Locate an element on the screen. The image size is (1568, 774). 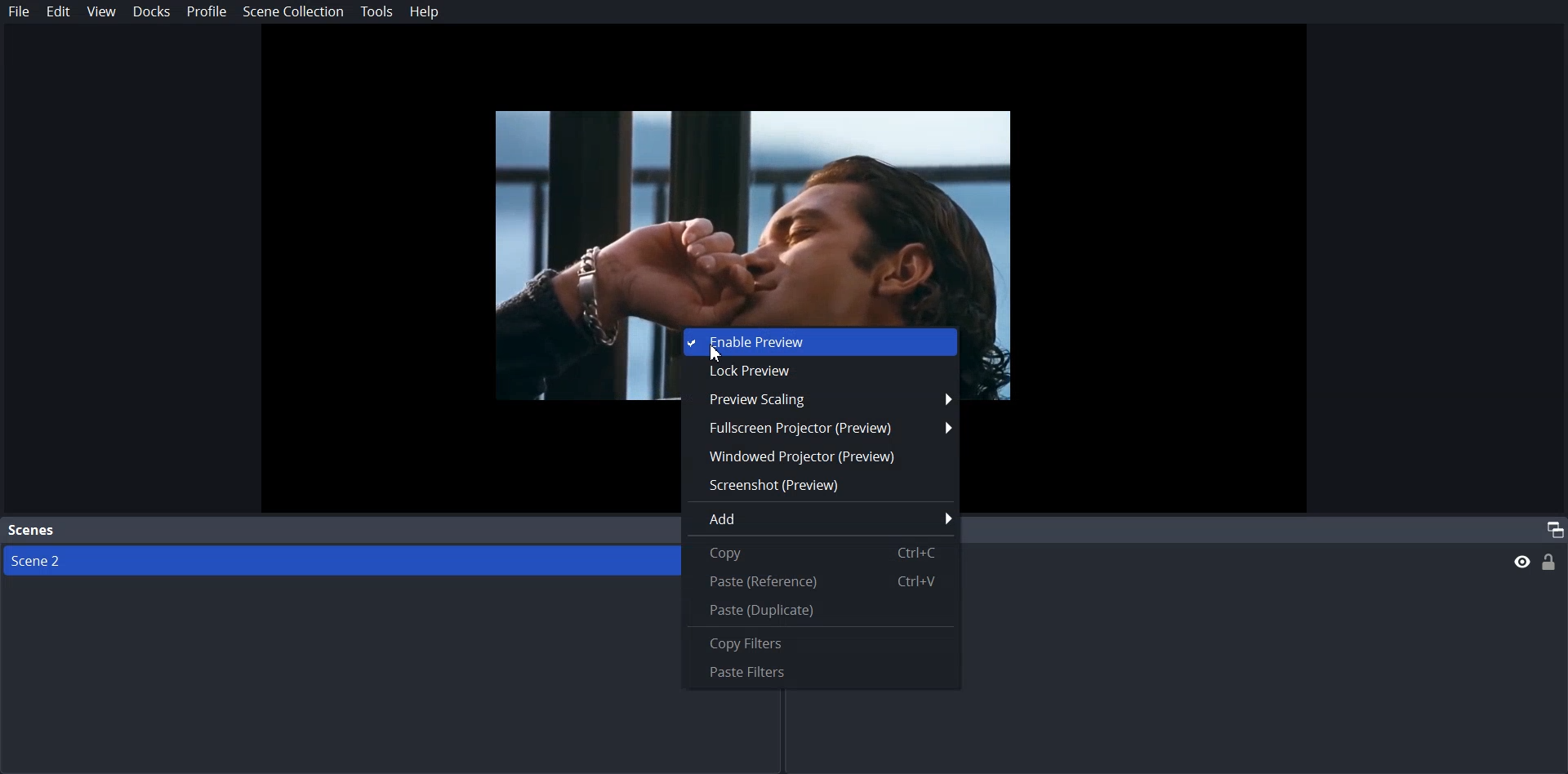
Copy is located at coordinates (816, 553).